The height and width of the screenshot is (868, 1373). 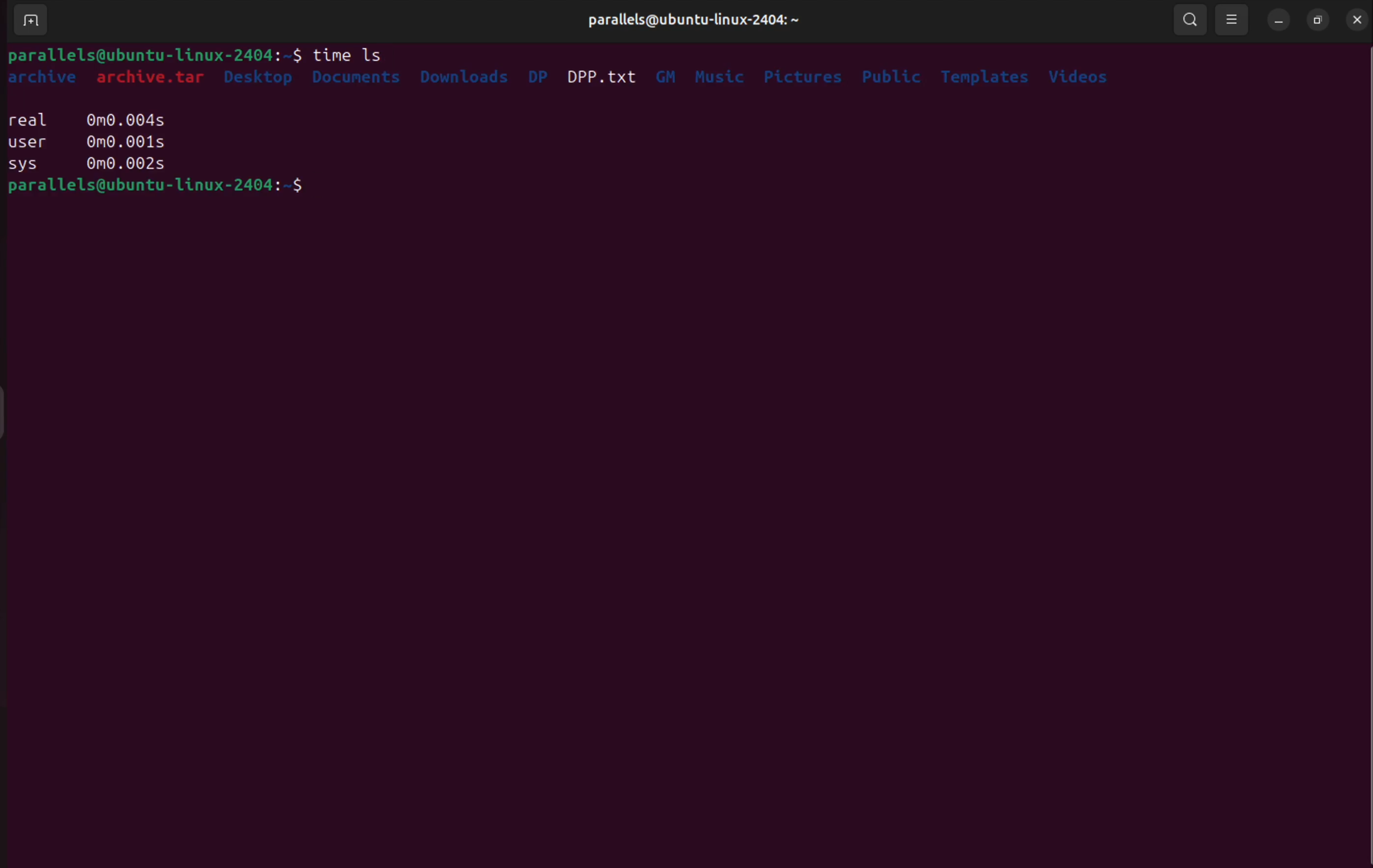 I want to click on 0m0.004s, so click(x=128, y=120).